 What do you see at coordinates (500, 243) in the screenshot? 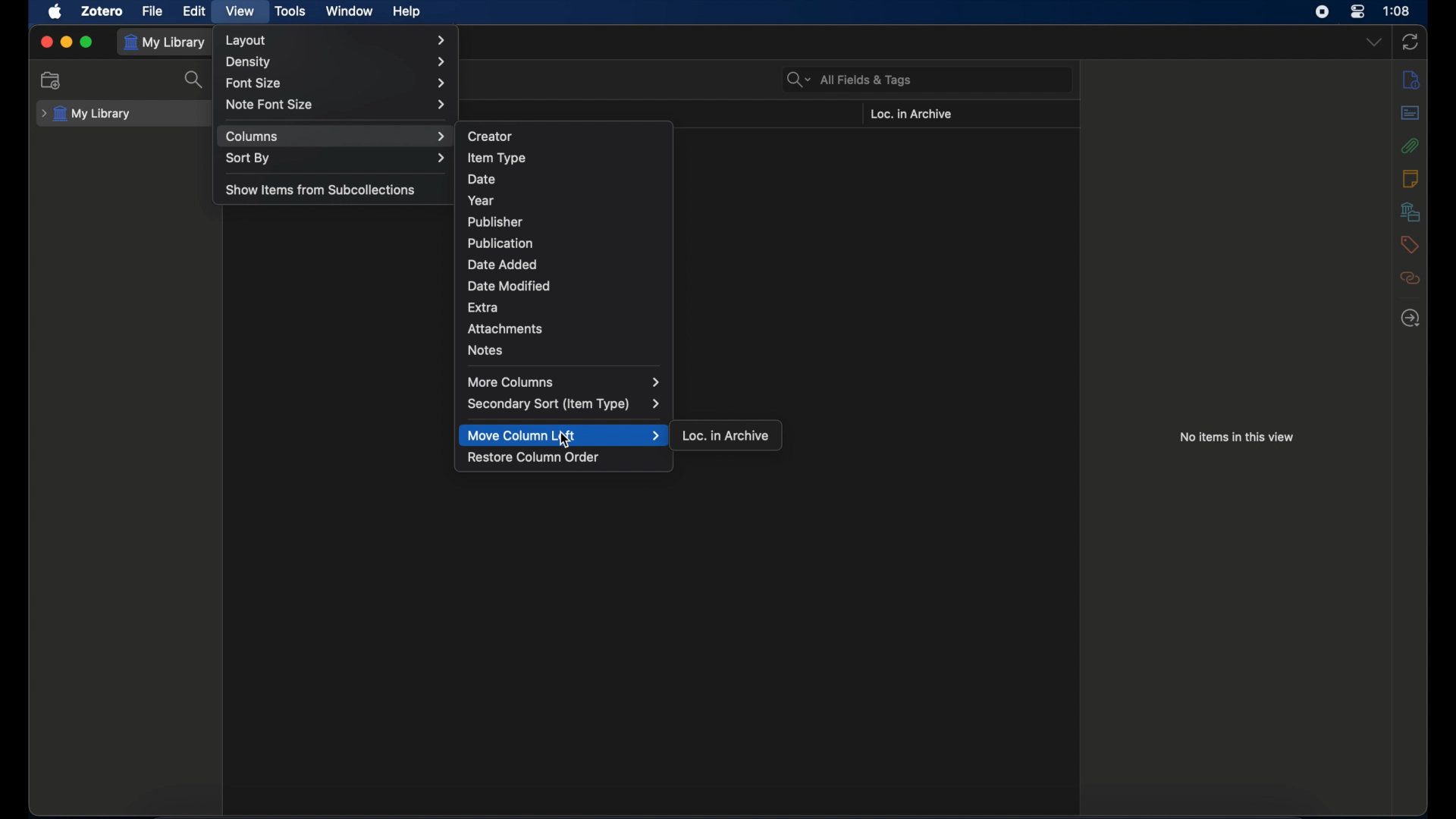
I see `publication` at bounding box center [500, 243].